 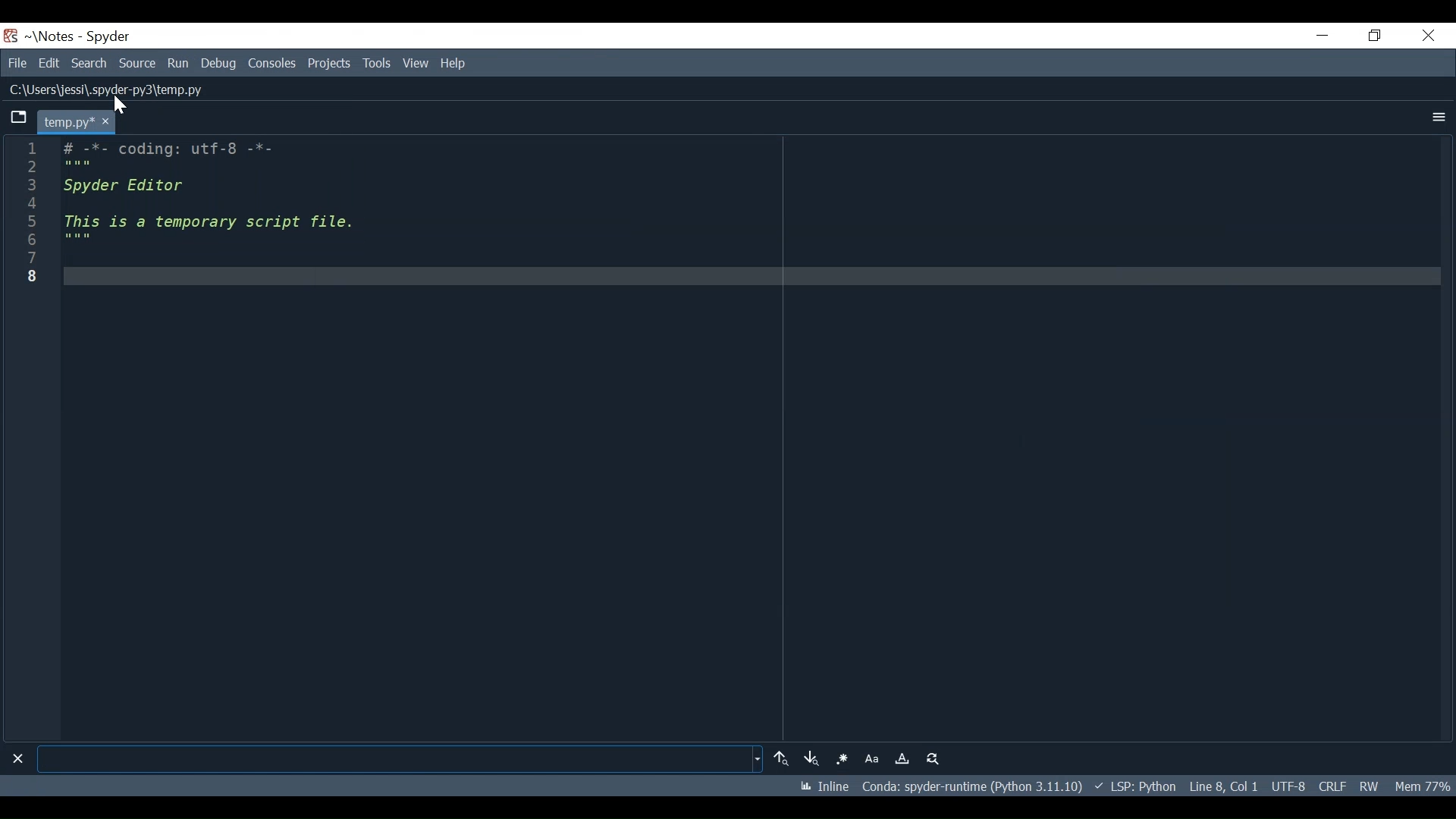 What do you see at coordinates (221, 63) in the screenshot?
I see `Debug` at bounding box center [221, 63].